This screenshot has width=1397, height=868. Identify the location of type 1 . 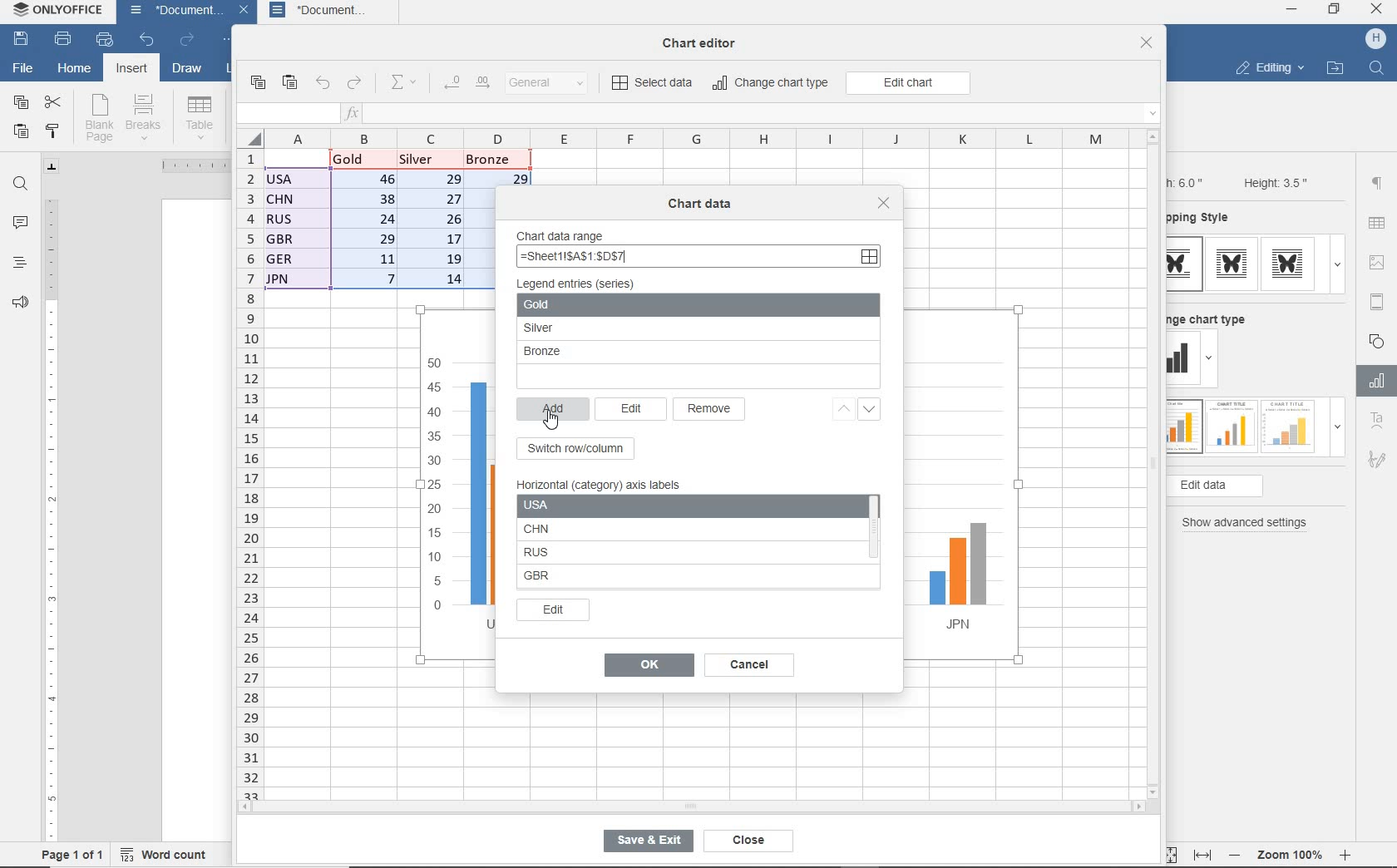
(1183, 427).